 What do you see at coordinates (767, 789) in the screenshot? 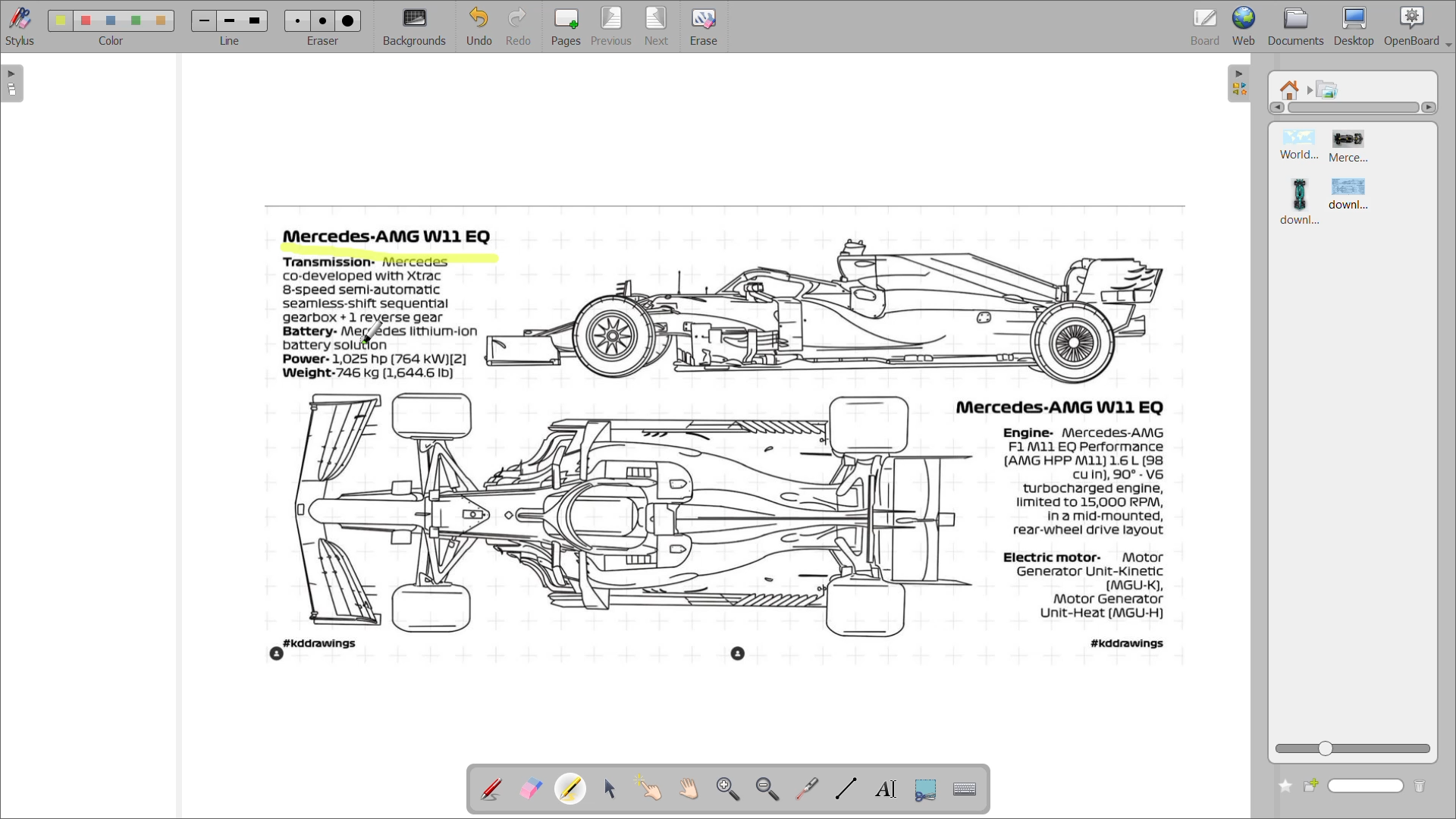
I see `zoom out` at bounding box center [767, 789].